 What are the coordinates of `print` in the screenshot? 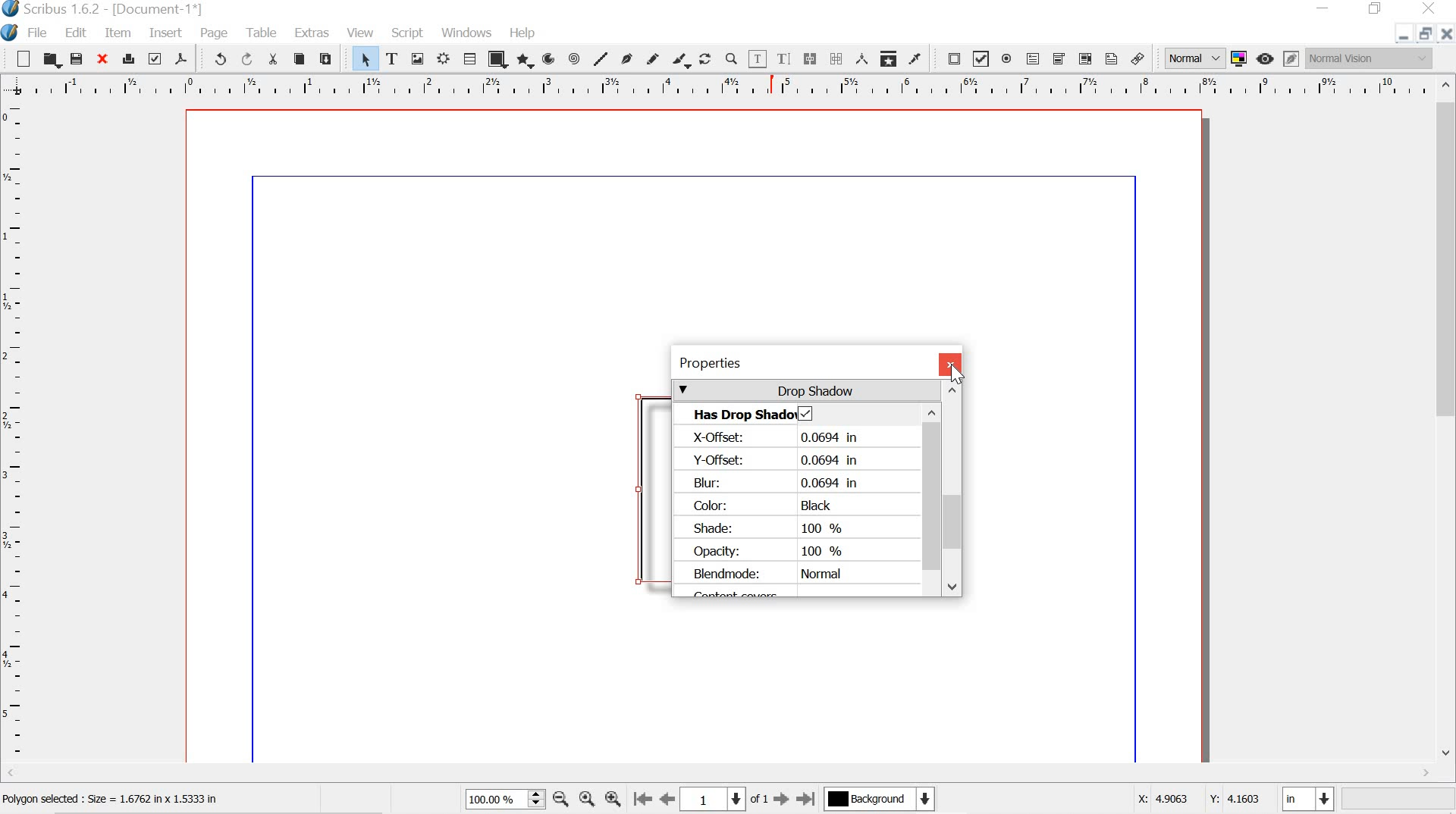 It's located at (128, 57).